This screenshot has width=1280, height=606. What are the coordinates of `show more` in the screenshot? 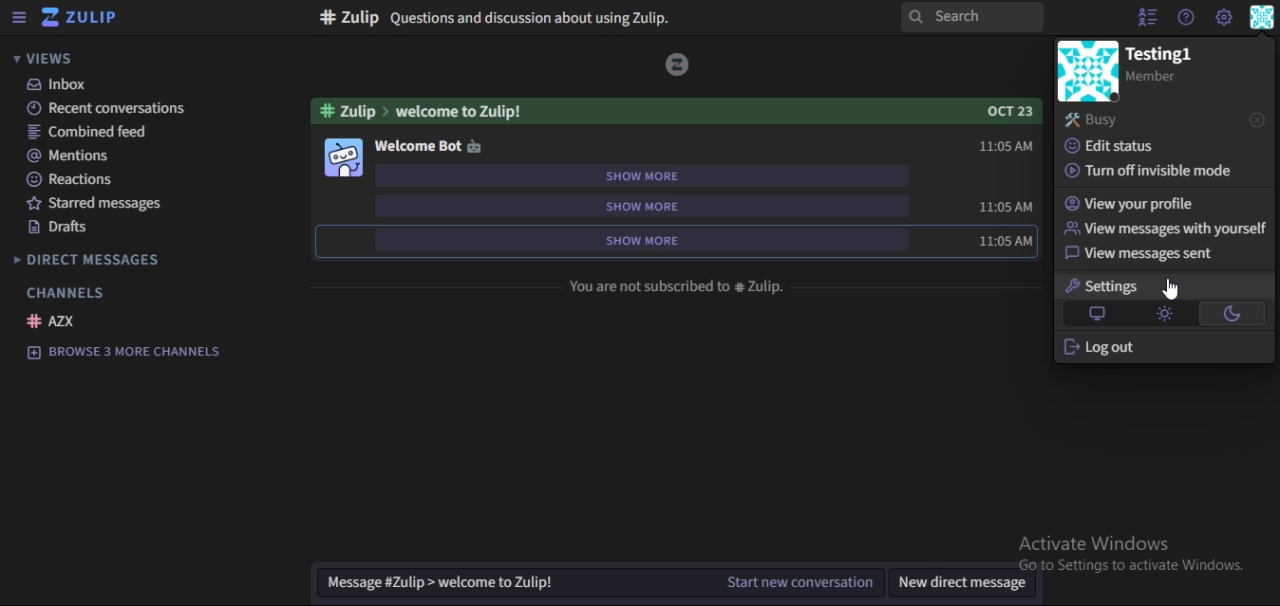 It's located at (654, 207).